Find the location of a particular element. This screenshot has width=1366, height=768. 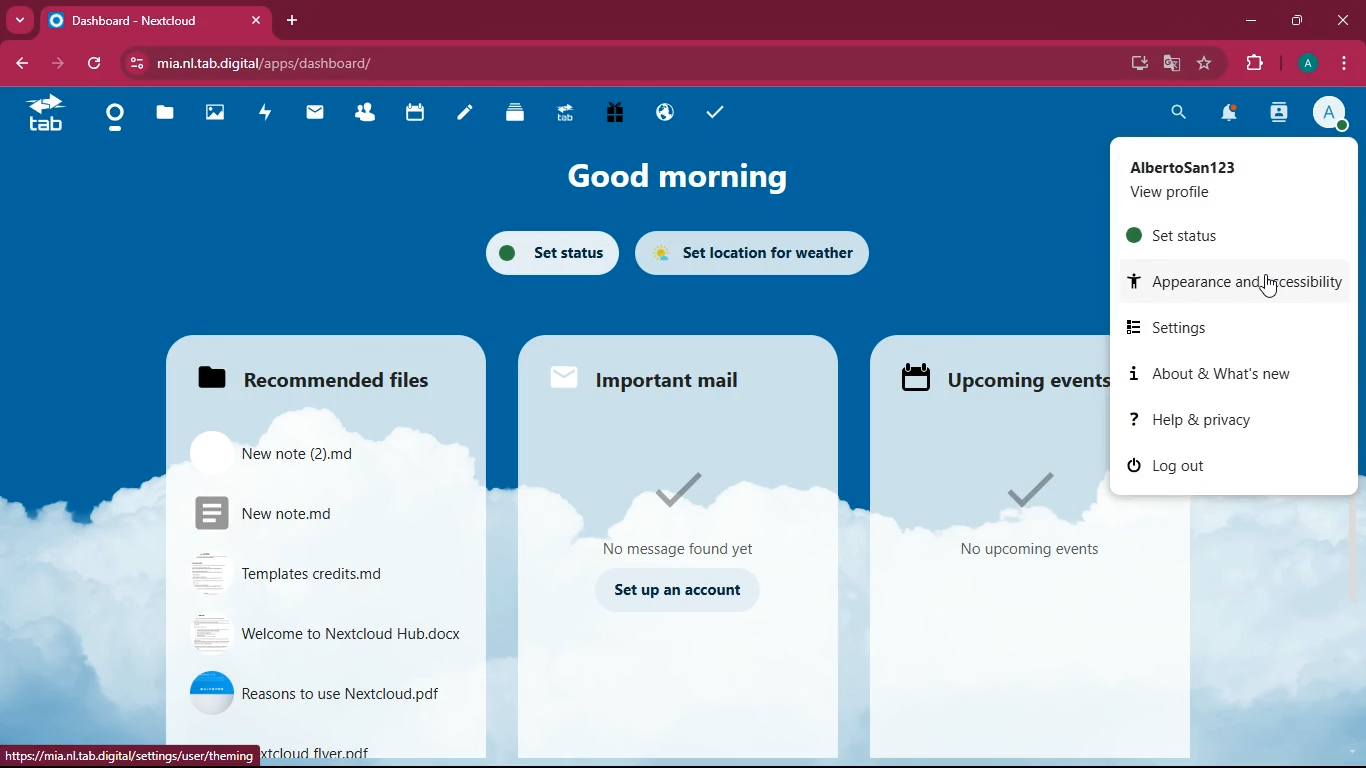

friends is located at coordinates (369, 114).